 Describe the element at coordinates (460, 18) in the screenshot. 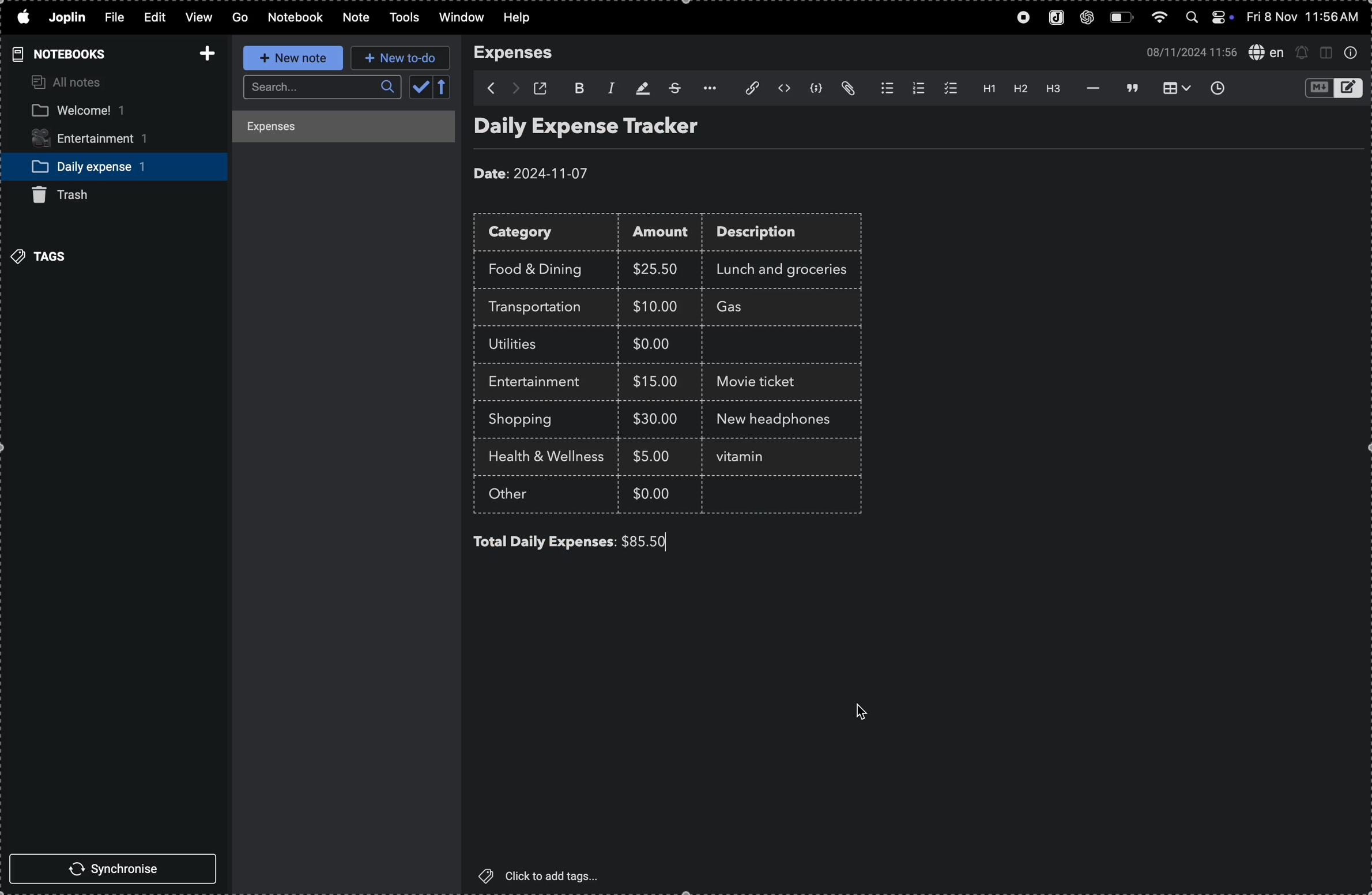

I see `window` at that location.